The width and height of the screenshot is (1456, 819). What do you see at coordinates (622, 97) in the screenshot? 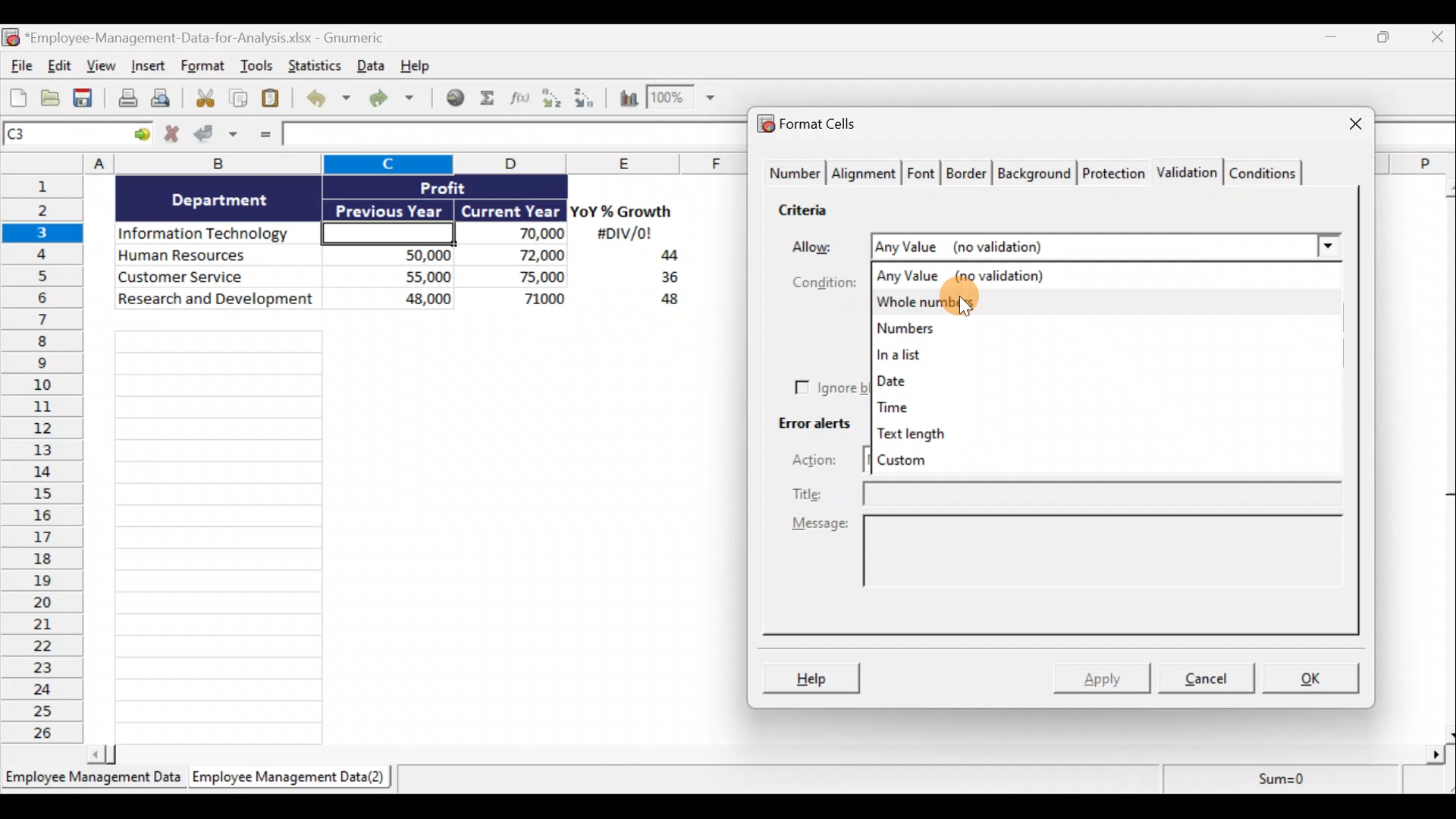
I see `Insert a chart` at bounding box center [622, 97].